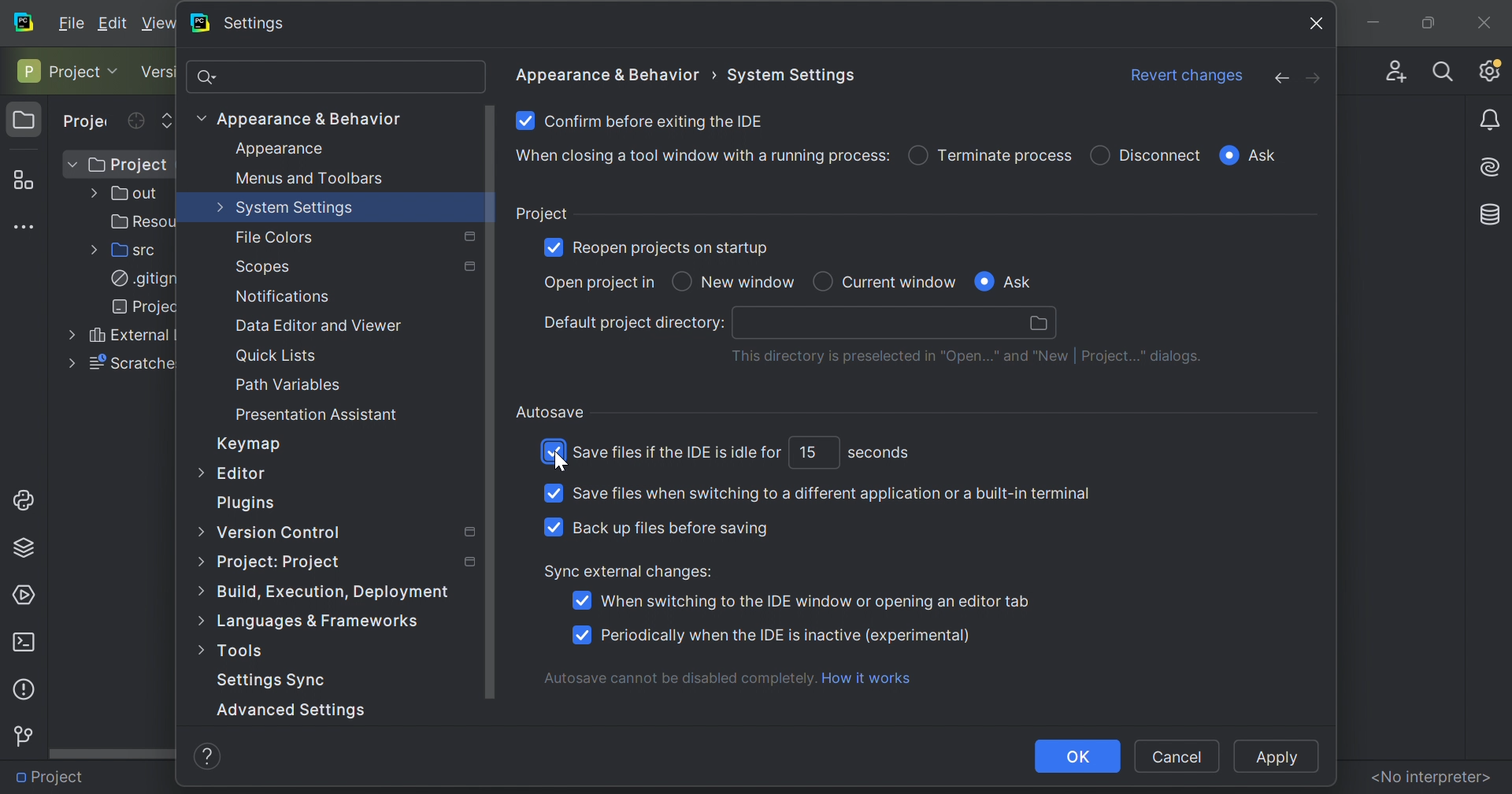  What do you see at coordinates (274, 238) in the screenshot?
I see `File colore` at bounding box center [274, 238].